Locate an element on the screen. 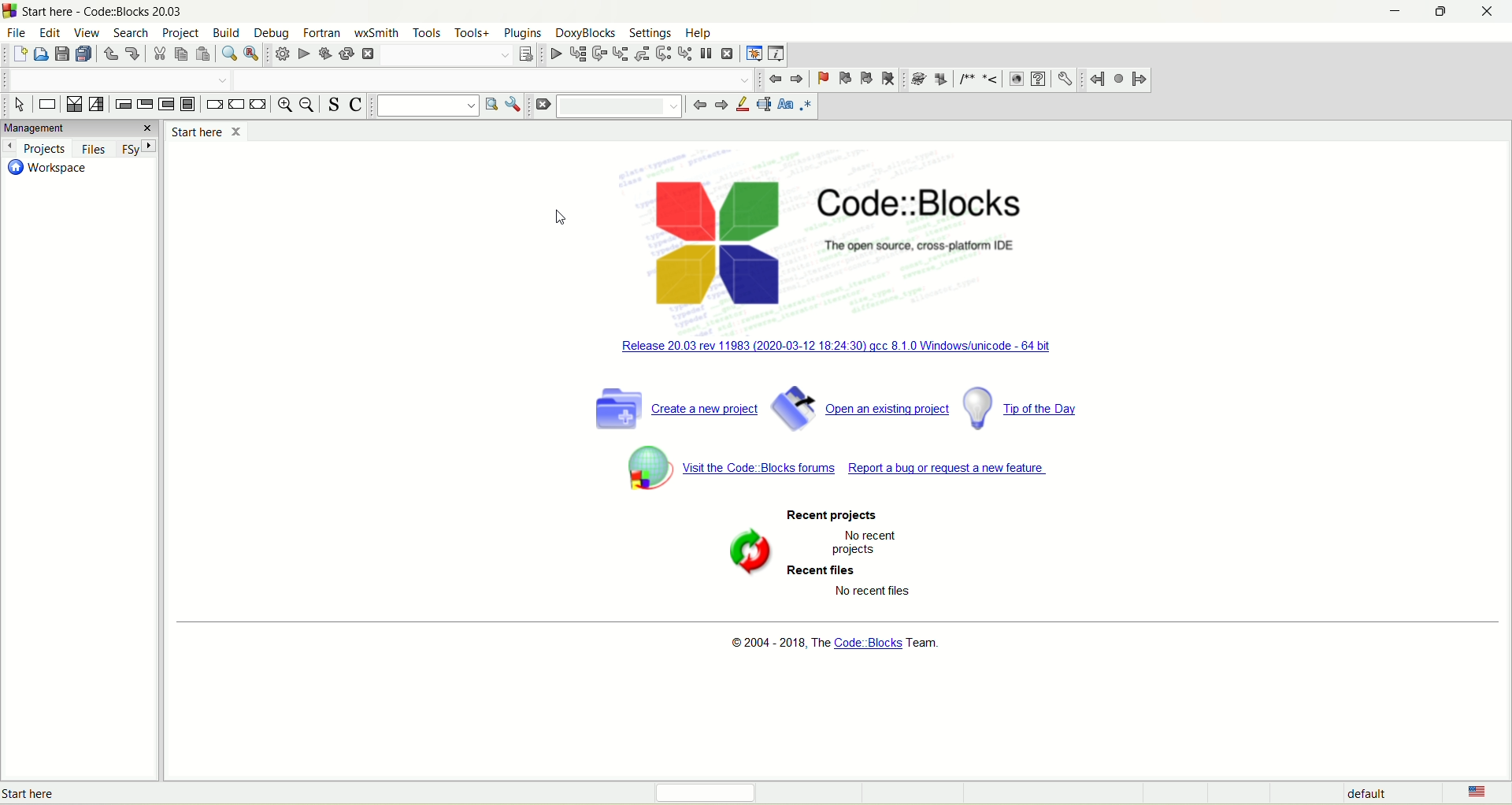  clear is located at coordinates (541, 106).